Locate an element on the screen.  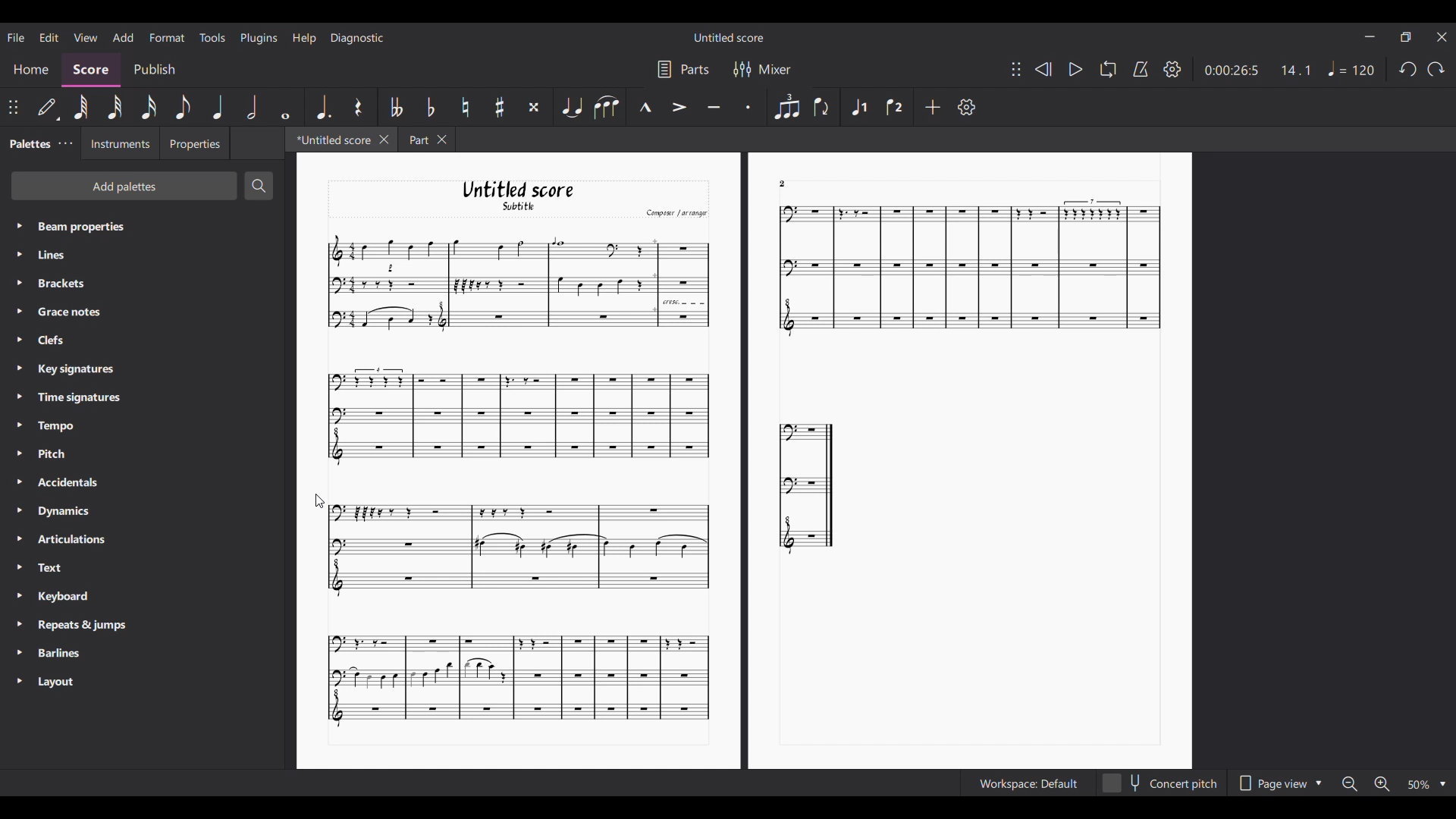
Untitled score Subtitle is located at coordinates (532, 196).